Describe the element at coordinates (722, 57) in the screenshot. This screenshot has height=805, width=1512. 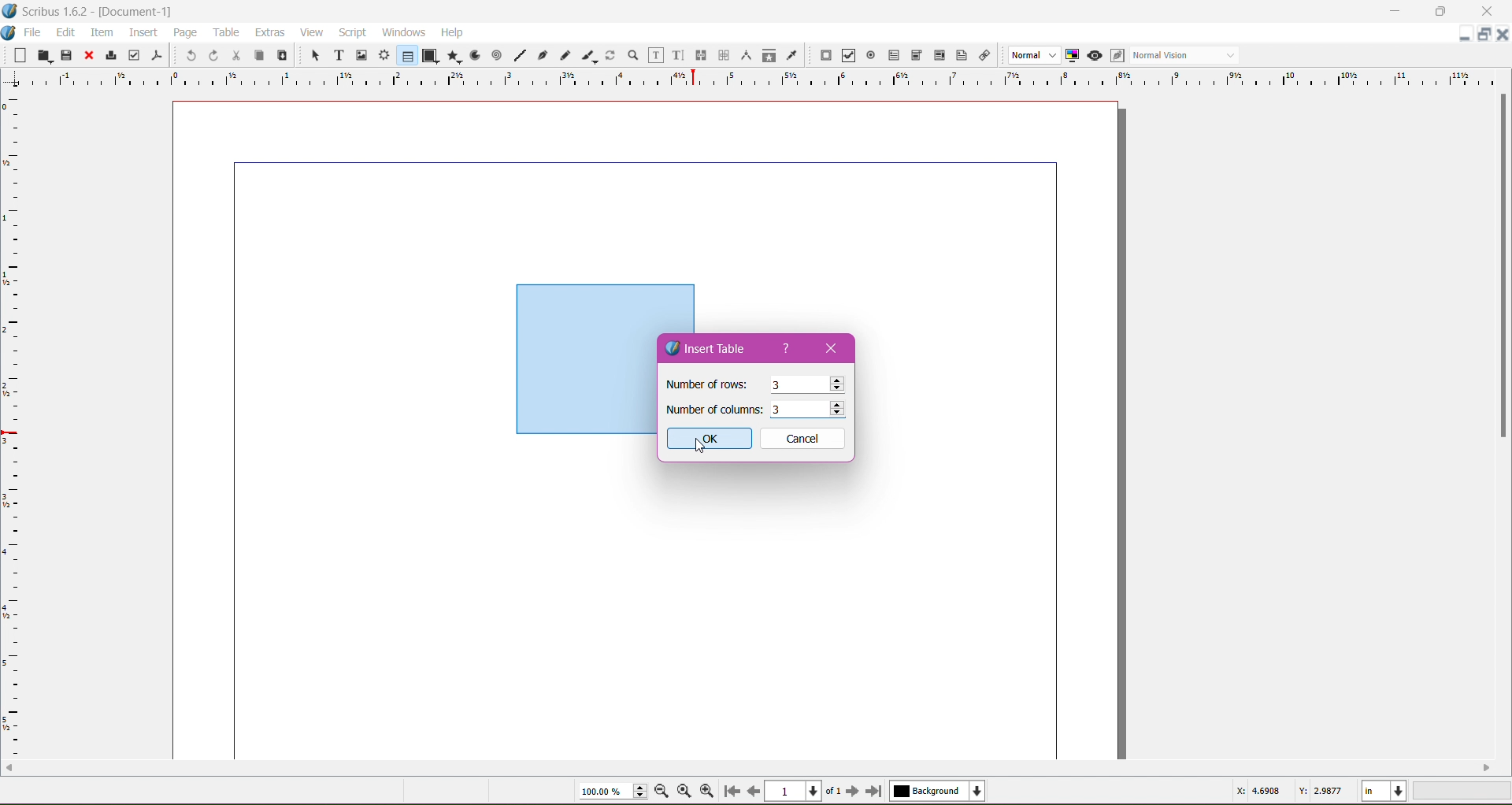
I see `Unlink Text Frames` at that location.